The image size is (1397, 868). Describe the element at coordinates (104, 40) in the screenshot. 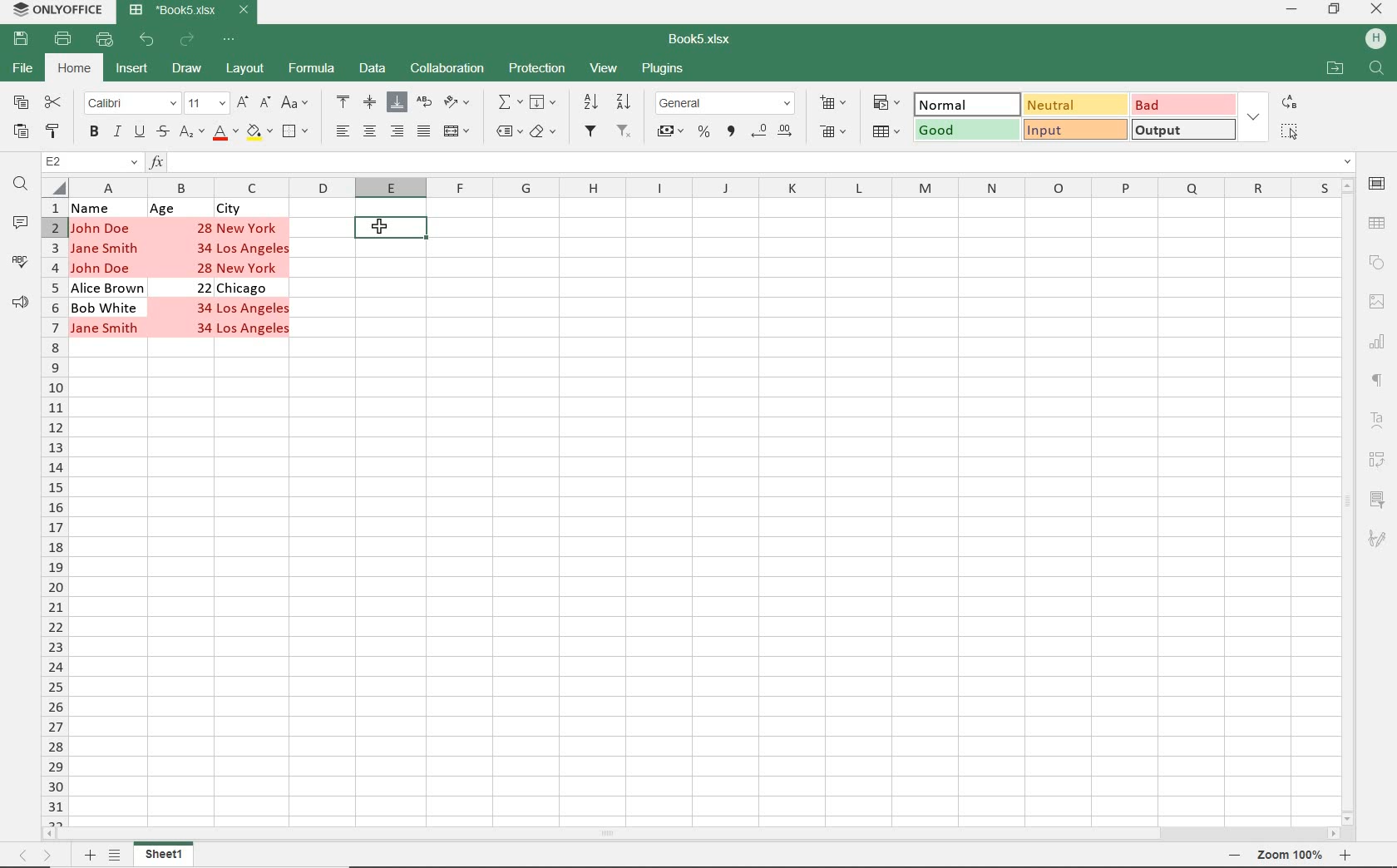

I see `QUICK PRINT` at that location.